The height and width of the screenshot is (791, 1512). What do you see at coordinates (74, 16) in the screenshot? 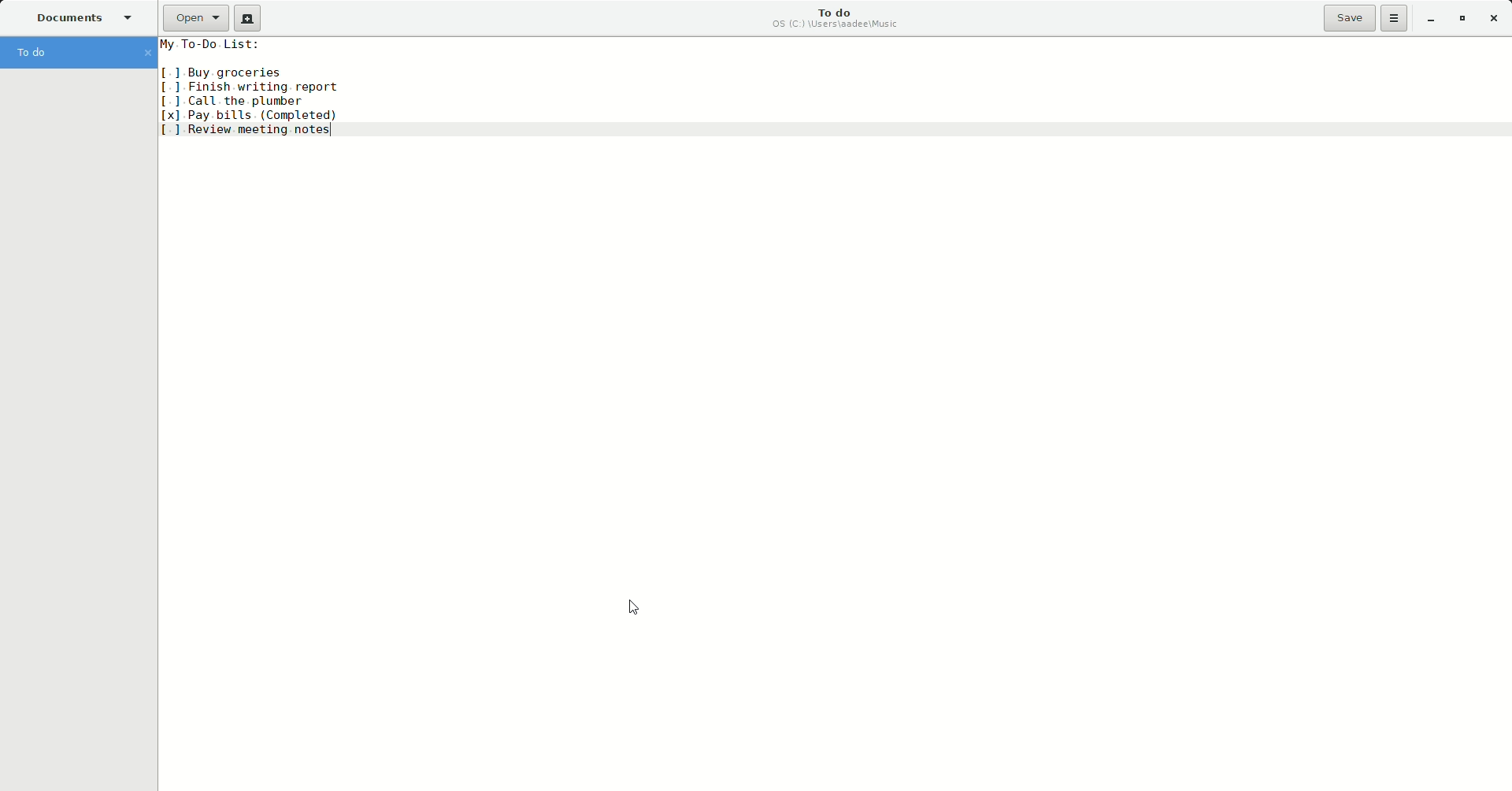
I see `Documents` at bounding box center [74, 16].